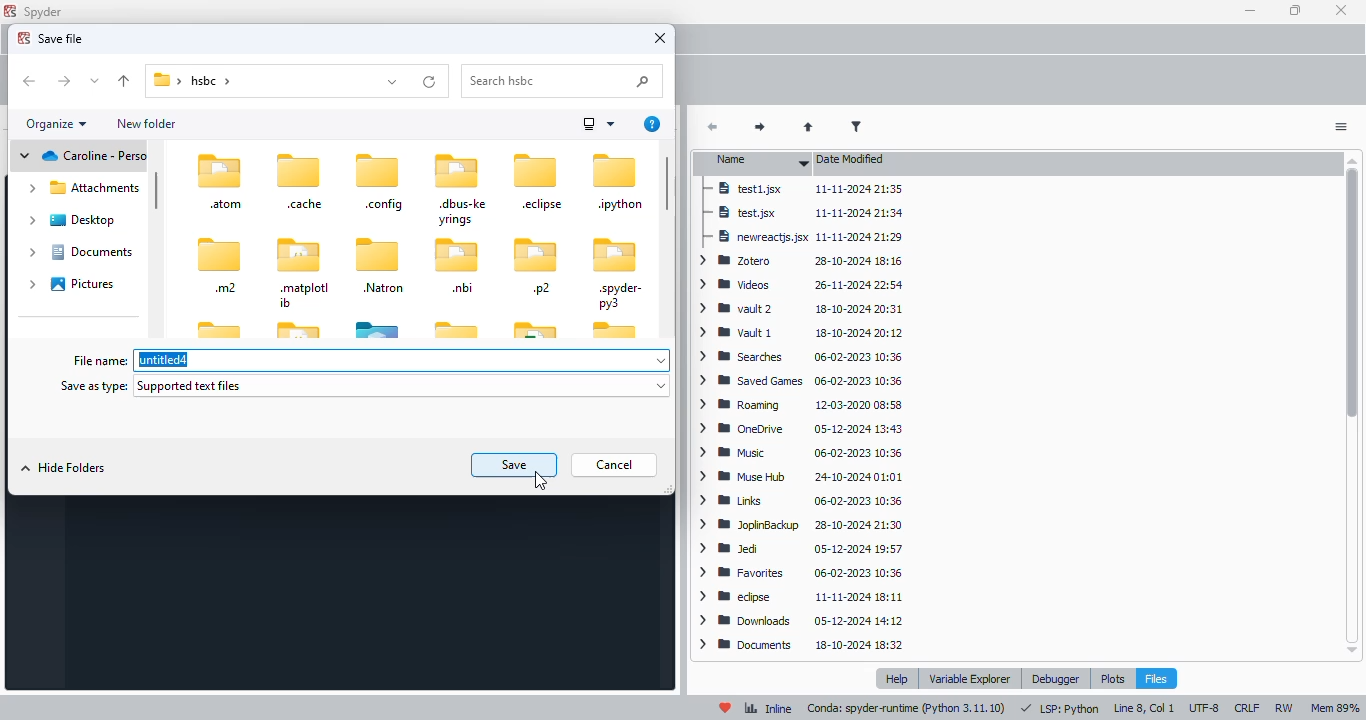  What do you see at coordinates (740, 212) in the screenshot?
I see `test.jsx` at bounding box center [740, 212].